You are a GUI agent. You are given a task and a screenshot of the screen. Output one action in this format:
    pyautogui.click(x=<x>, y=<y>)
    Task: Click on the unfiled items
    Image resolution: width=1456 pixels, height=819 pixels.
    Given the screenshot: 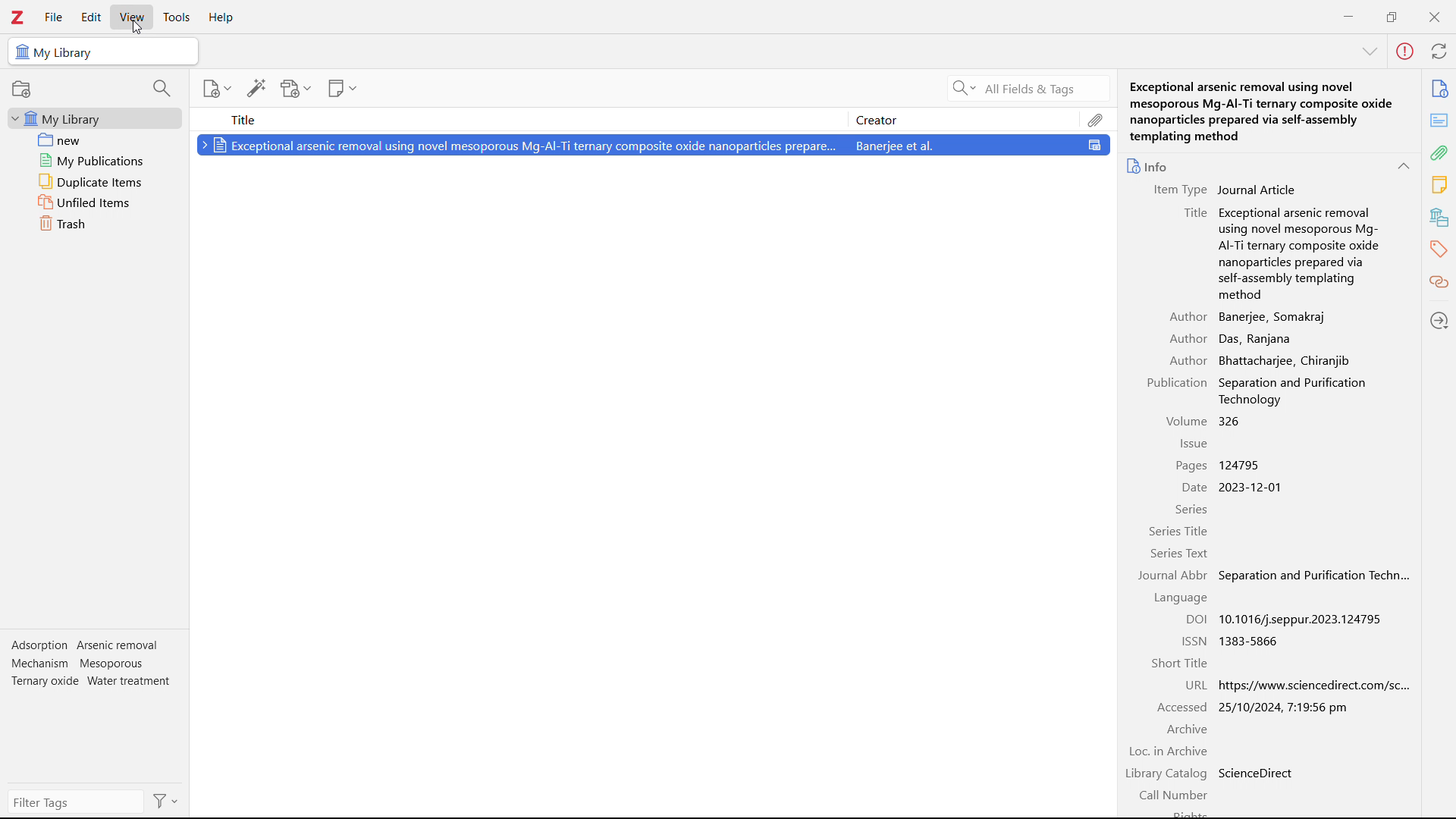 What is the action you would take?
    pyautogui.click(x=94, y=202)
    